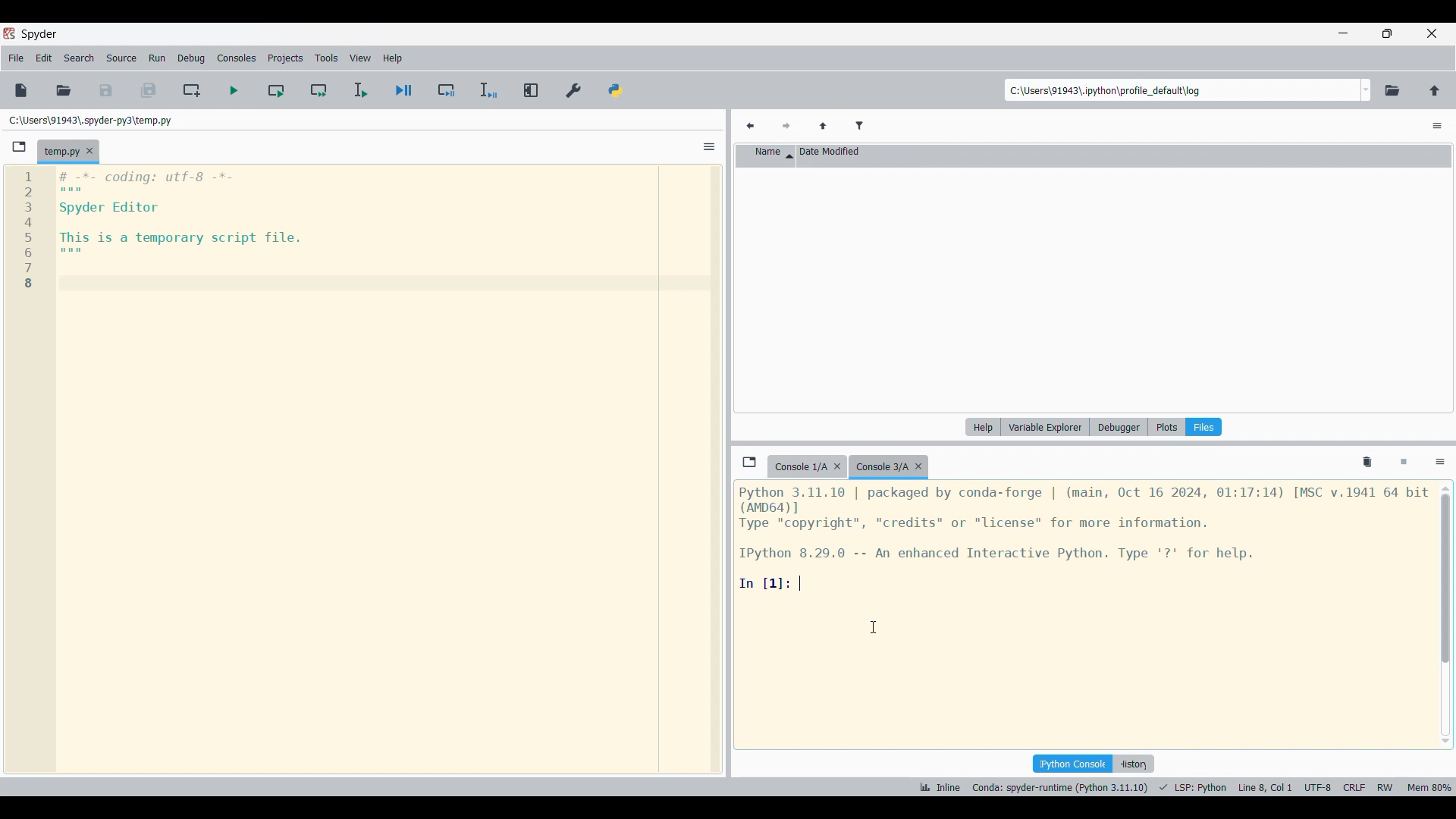  Describe the element at coordinates (404, 90) in the screenshot. I see `Debug file` at that location.